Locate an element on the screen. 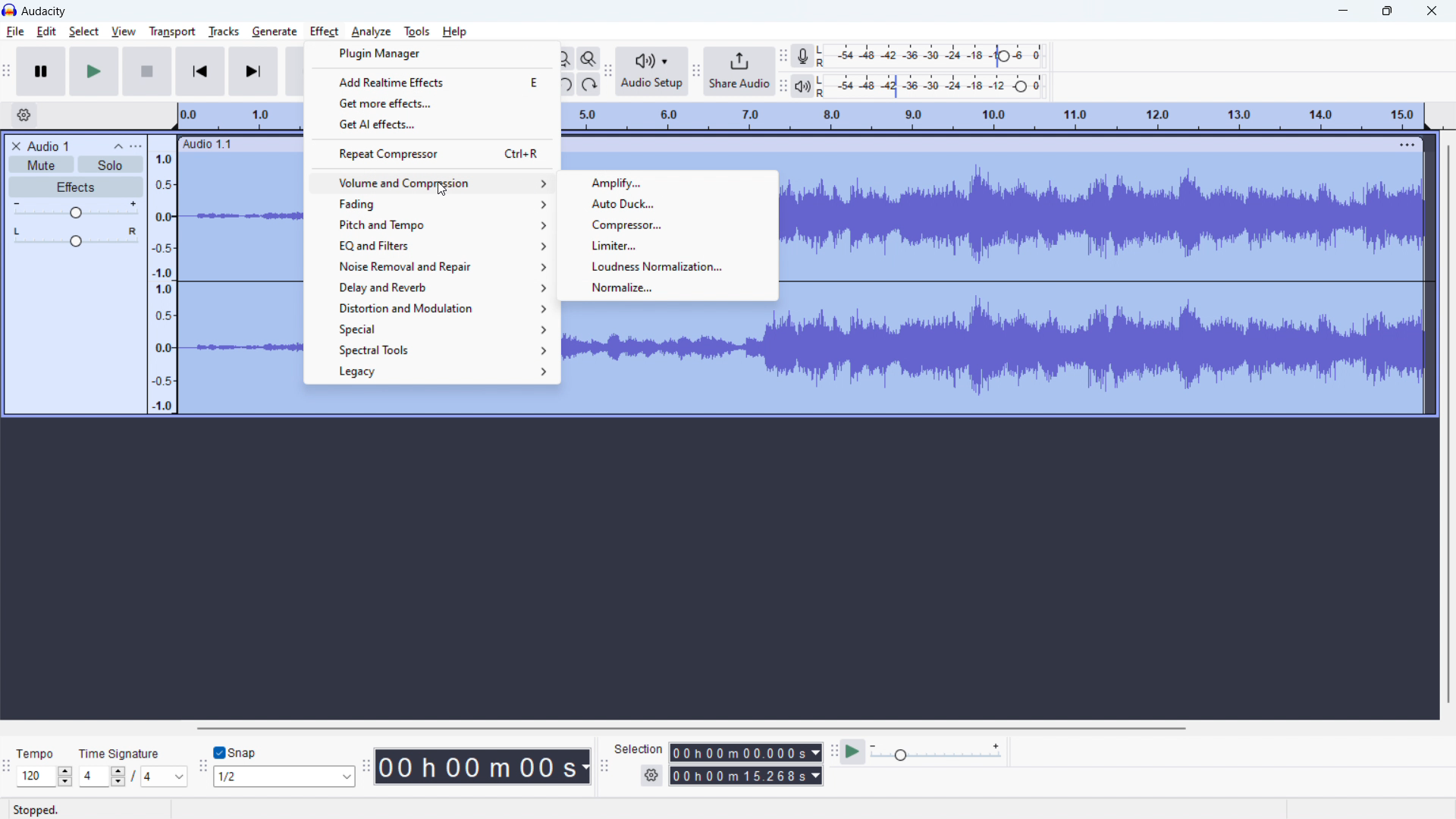 The image size is (1456, 819). loudness normalization is located at coordinates (668, 266).